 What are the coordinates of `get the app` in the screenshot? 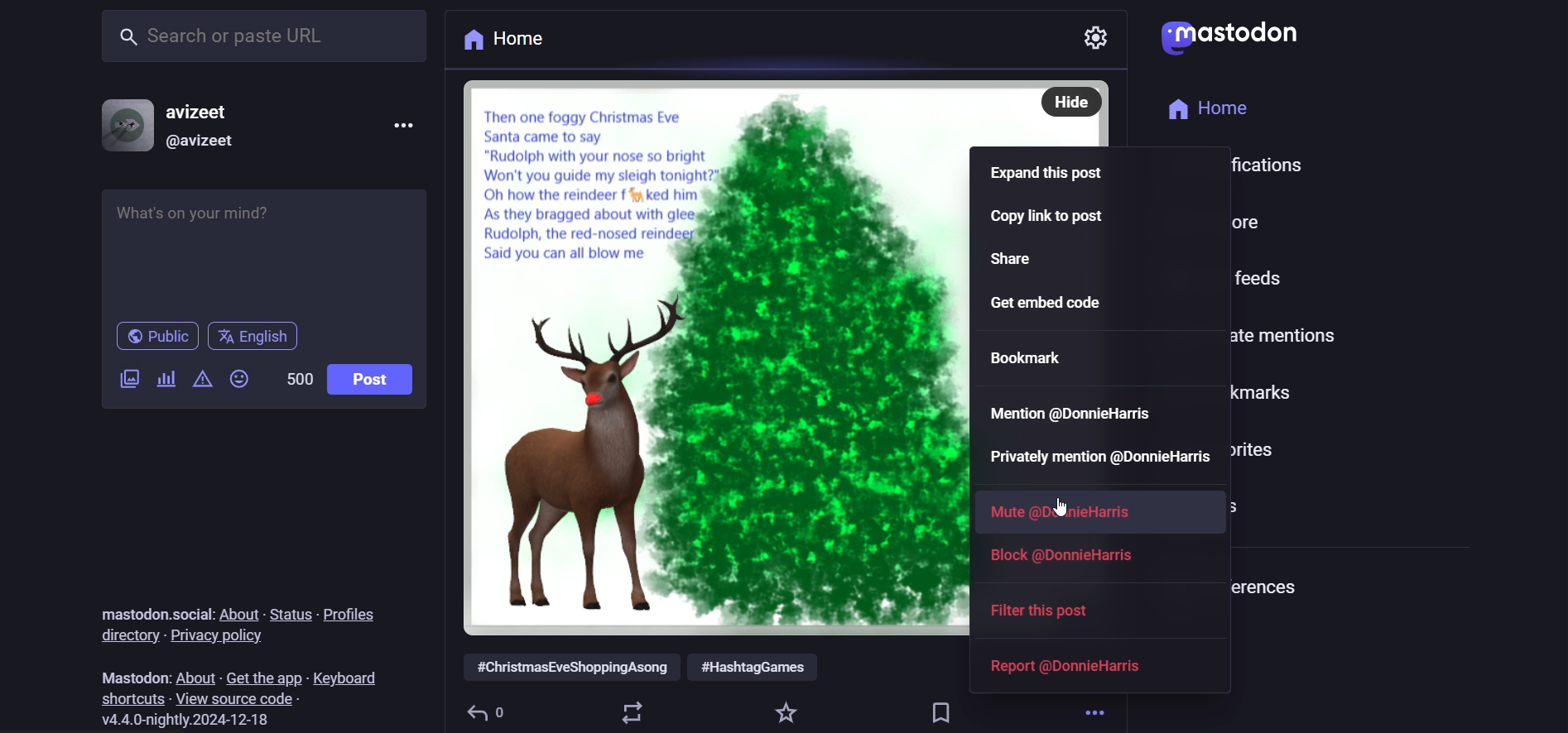 It's located at (260, 675).